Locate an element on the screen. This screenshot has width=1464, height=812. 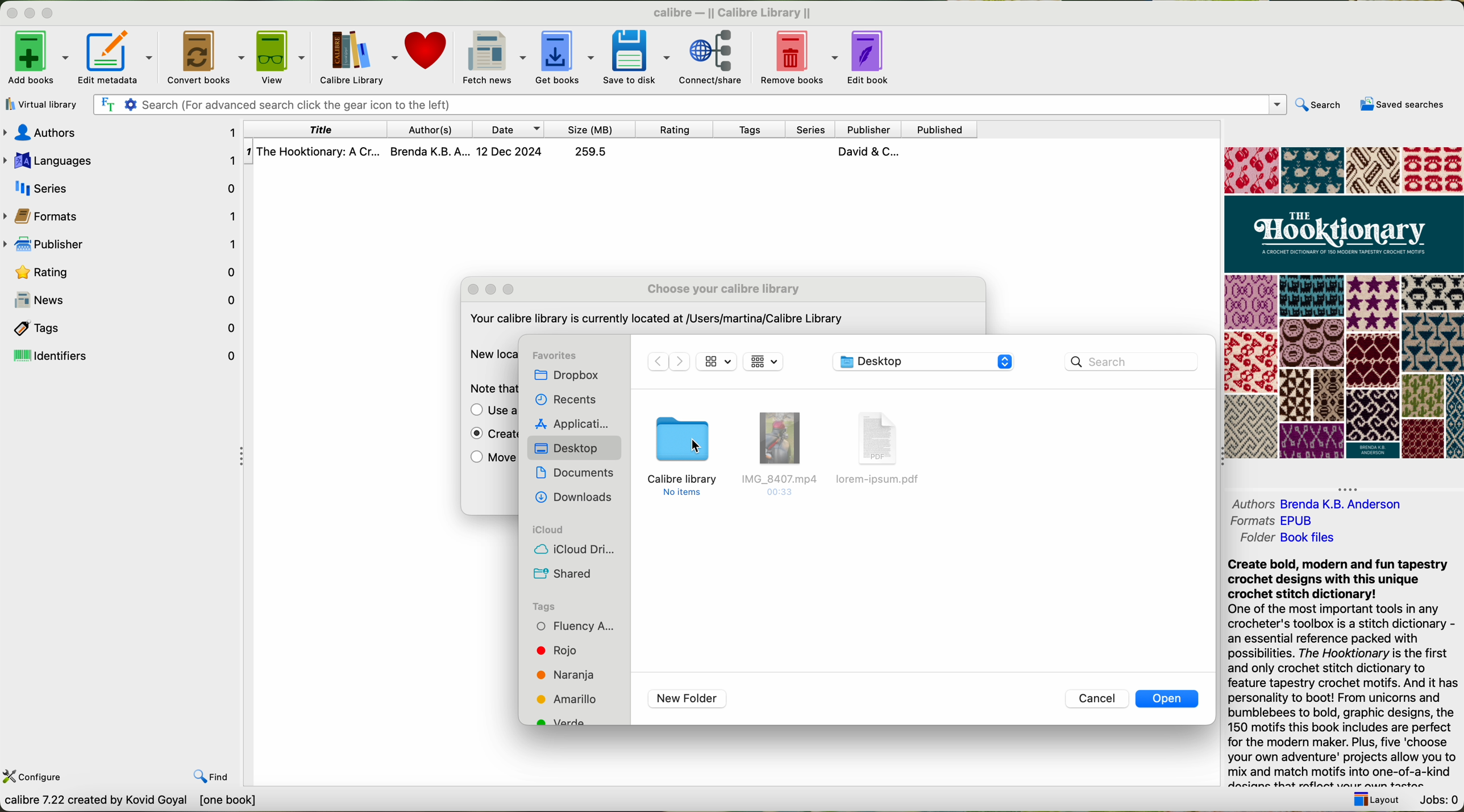
close program is located at coordinates (11, 13).